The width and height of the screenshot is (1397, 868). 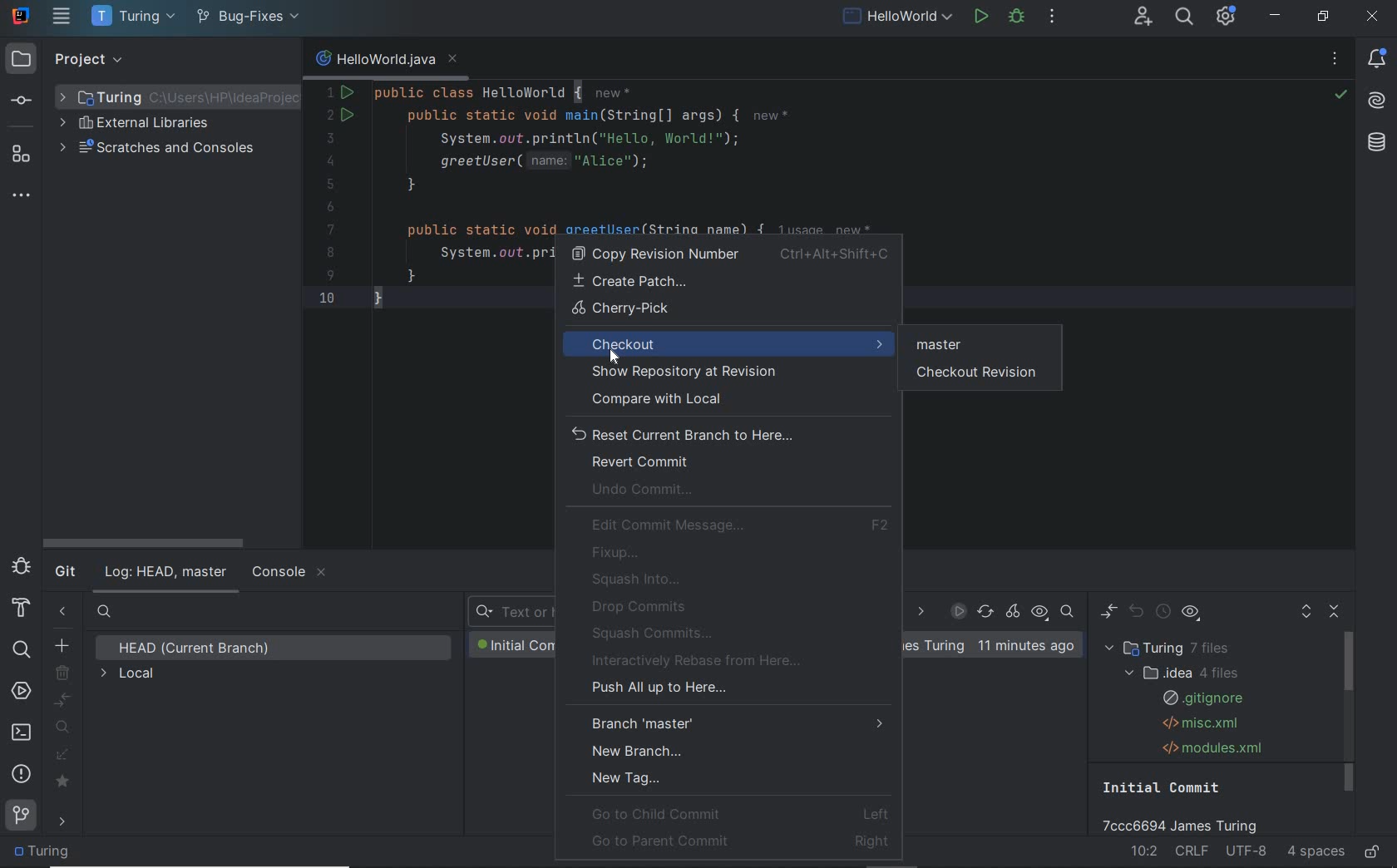 What do you see at coordinates (1163, 614) in the screenshot?
I see `history up to here` at bounding box center [1163, 614].